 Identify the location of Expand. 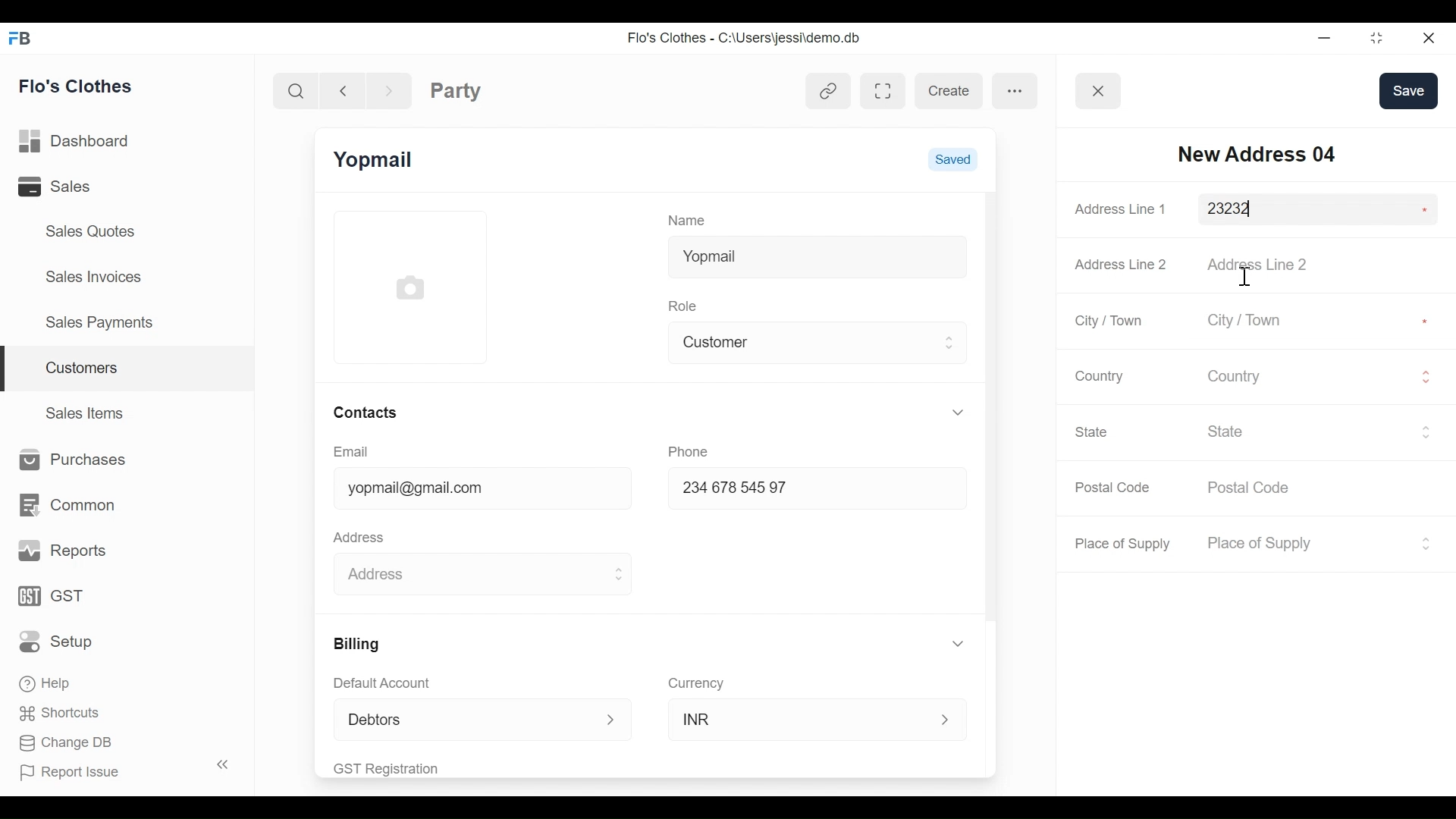
(1426, 431).